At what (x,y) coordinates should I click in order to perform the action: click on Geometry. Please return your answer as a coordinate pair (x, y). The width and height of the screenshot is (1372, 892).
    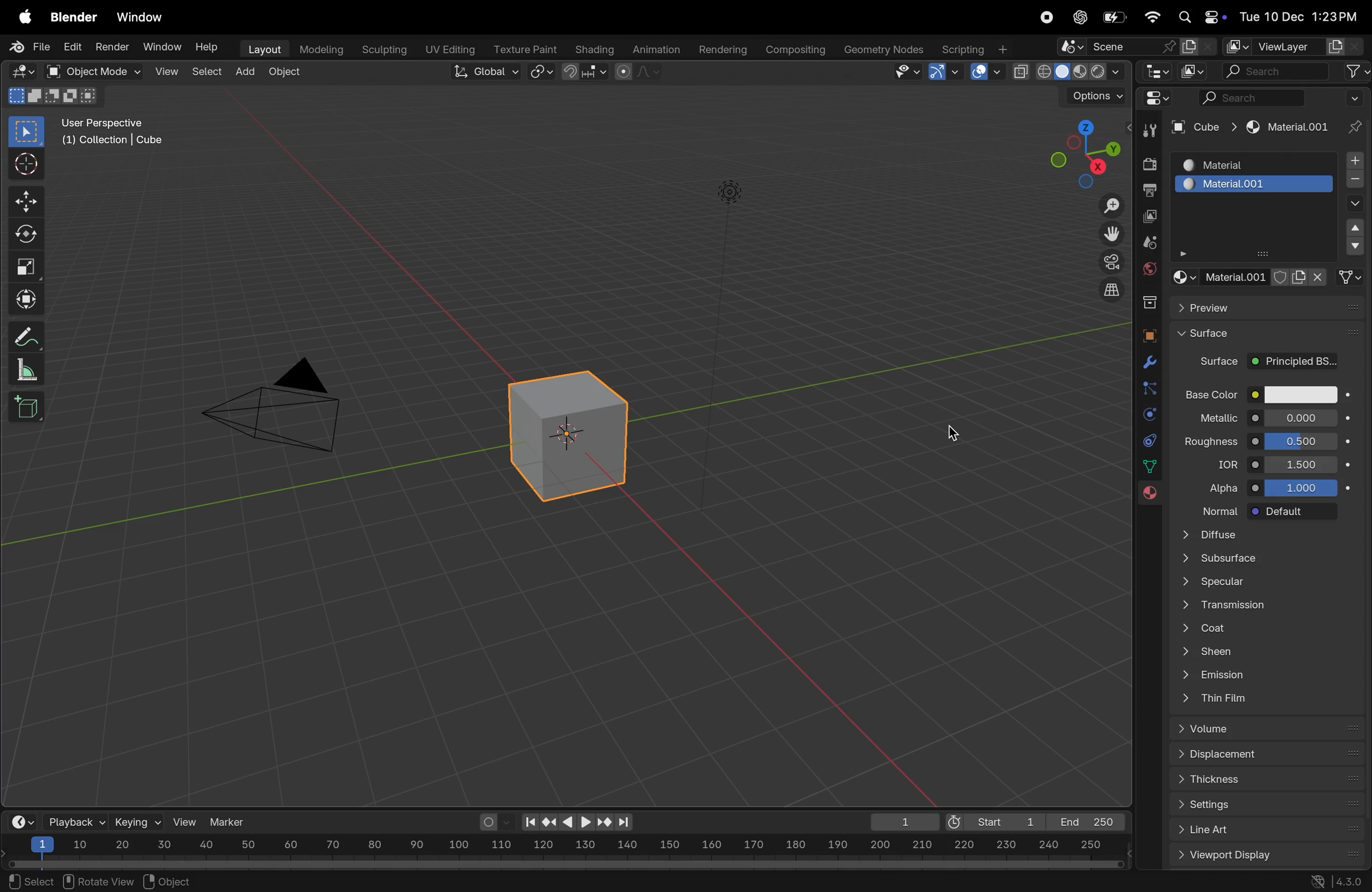
    Looking at the image, I should click on (885, 50).